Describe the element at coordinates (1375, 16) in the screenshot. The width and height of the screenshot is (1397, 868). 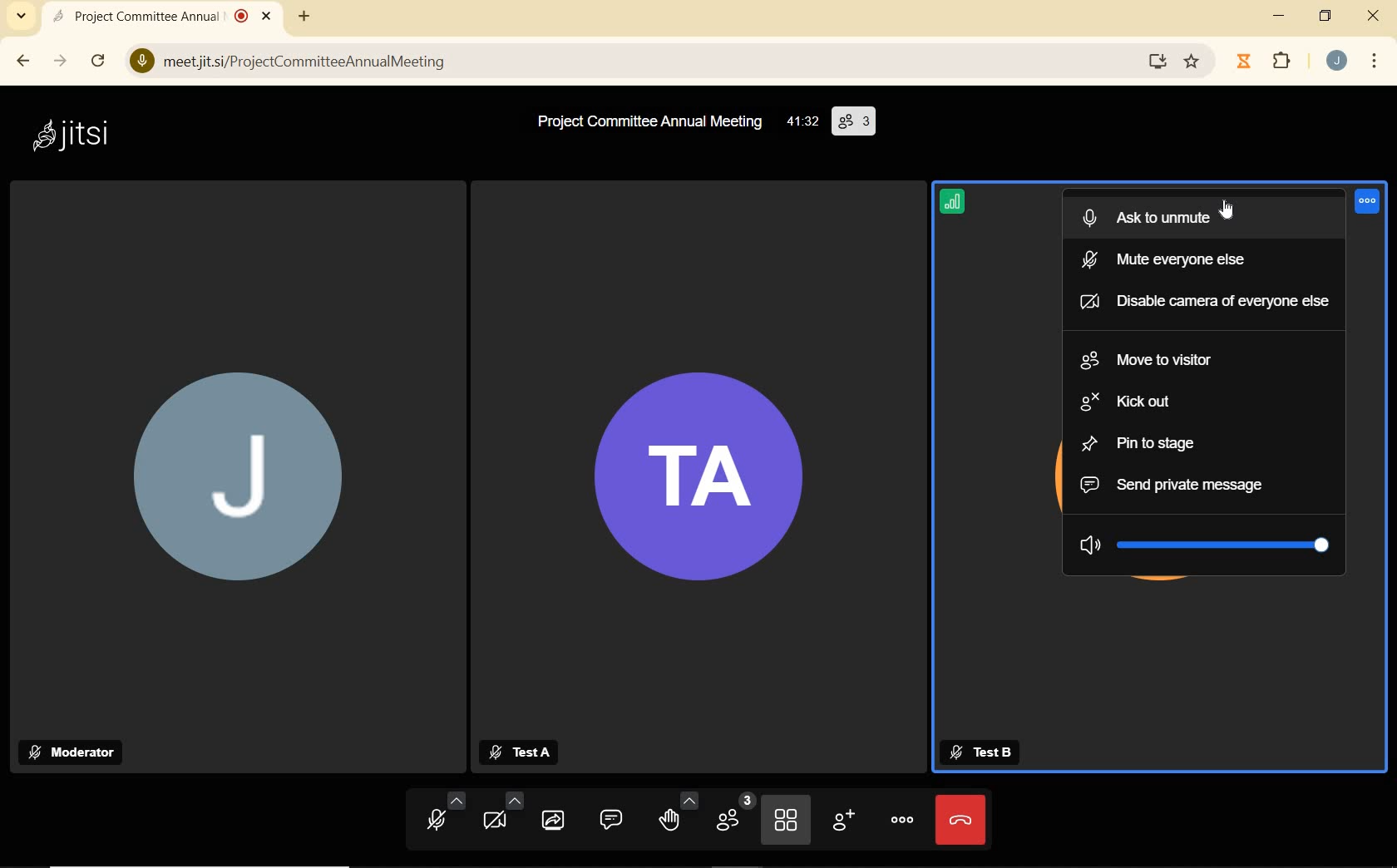
I see `CLOSE` at that location.